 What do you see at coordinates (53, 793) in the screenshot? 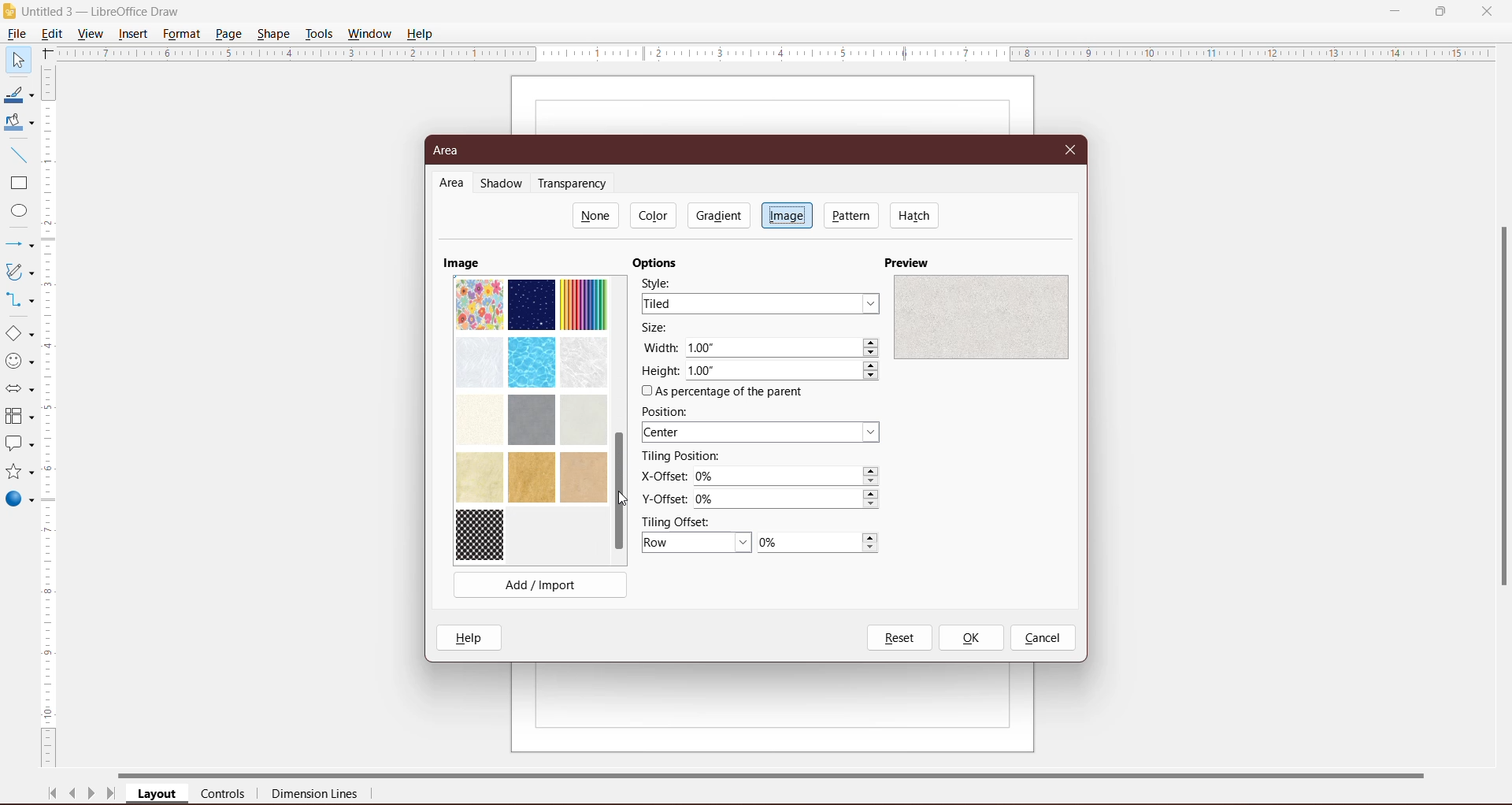
I see `Scroll to first page` at bounding box center [53, 793].